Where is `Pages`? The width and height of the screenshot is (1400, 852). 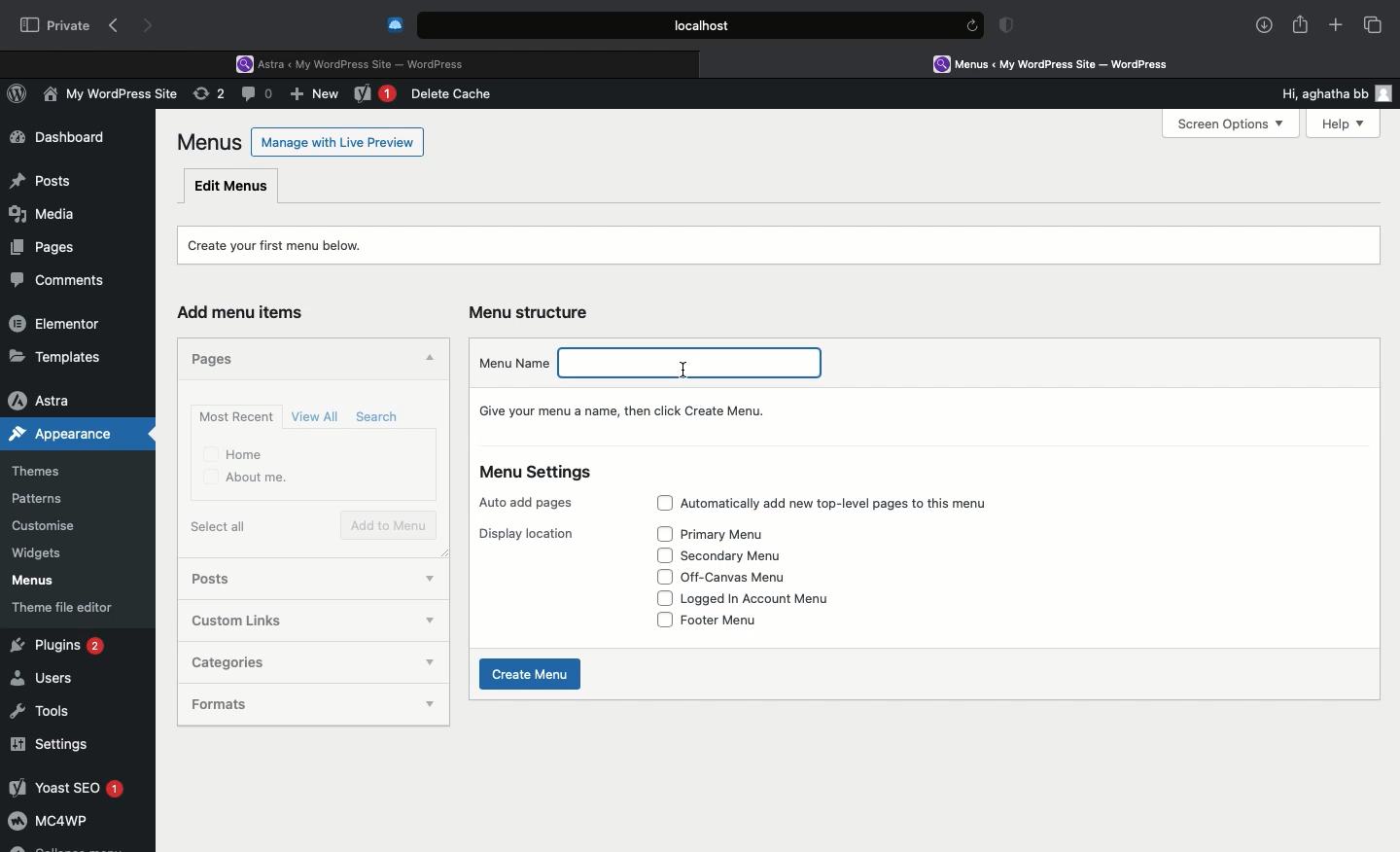
Pages is located at coordinates (218, 357).